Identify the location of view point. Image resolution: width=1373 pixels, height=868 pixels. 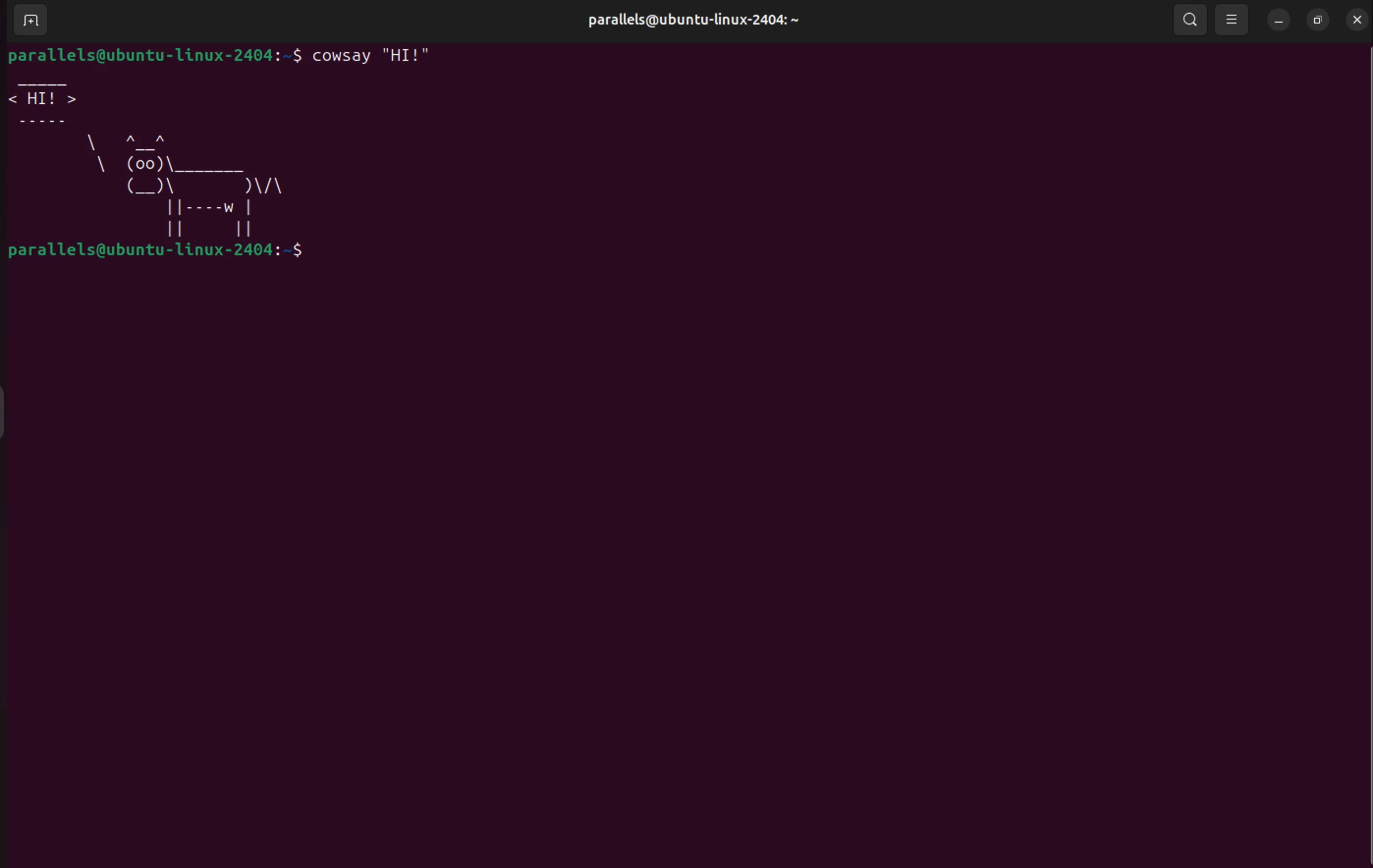
(1229, 17).